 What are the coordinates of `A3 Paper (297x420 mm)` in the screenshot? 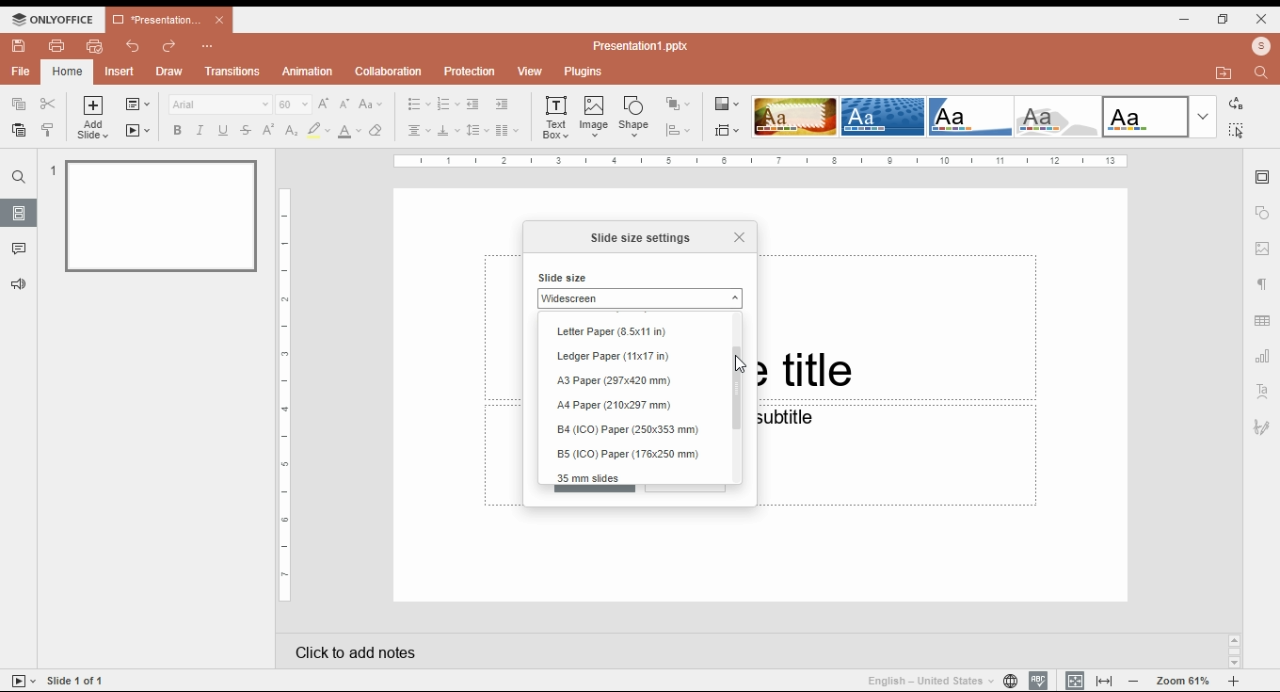 It's located at (617, 380).